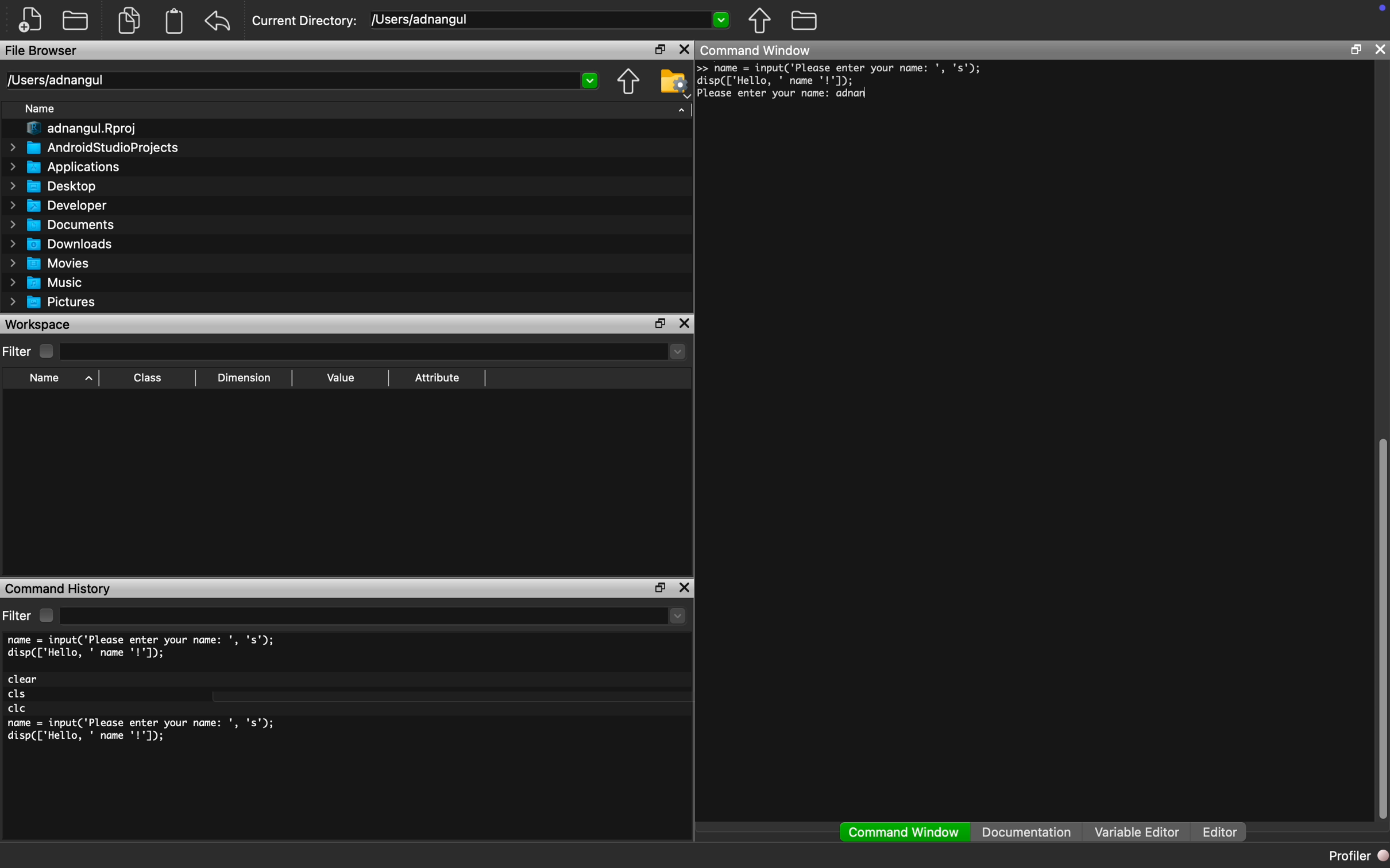 Image resolution: width=1390 pixels, height=868 pixels. I want to click on Applications, so click(66, 167).